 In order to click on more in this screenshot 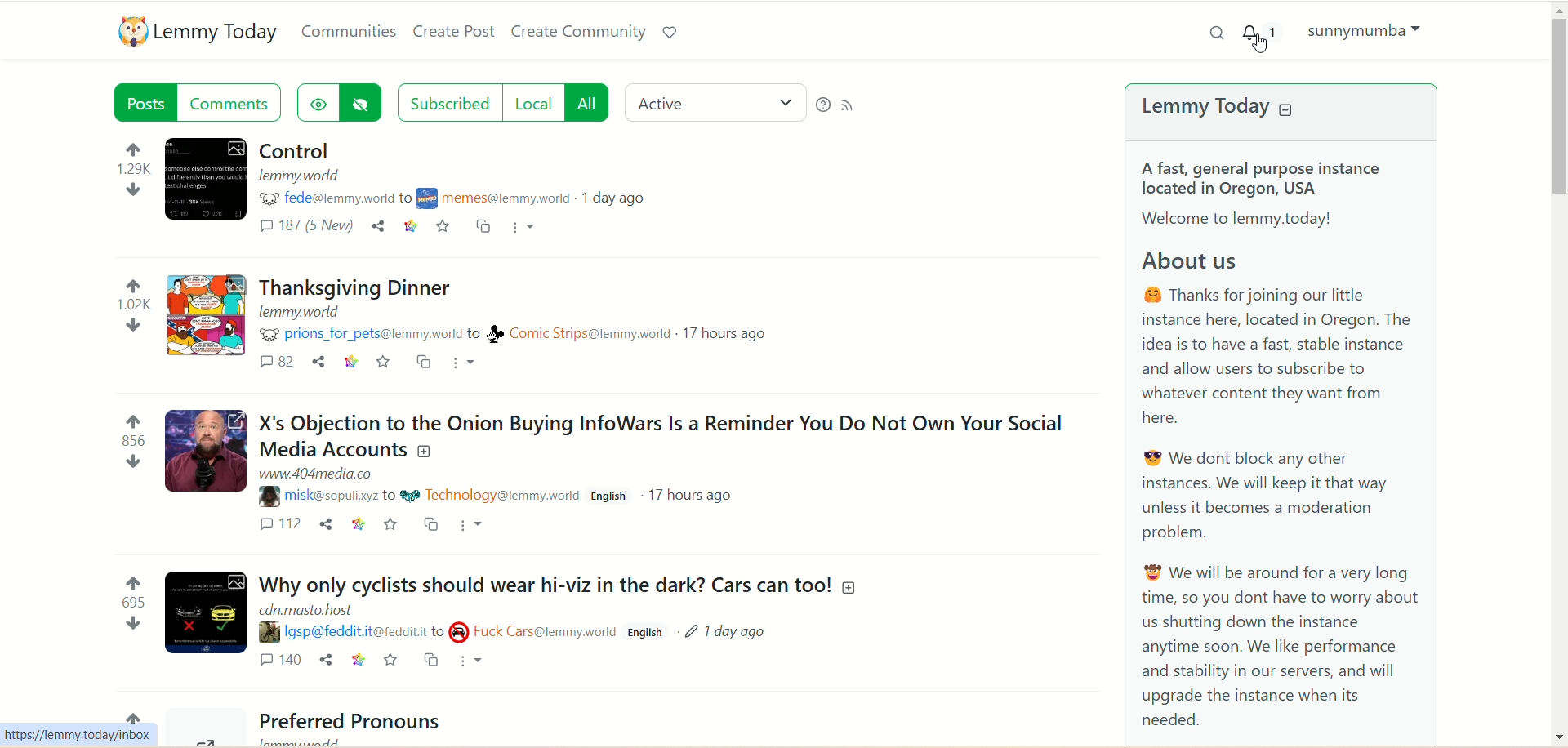, I will do `click(532, 228)`.